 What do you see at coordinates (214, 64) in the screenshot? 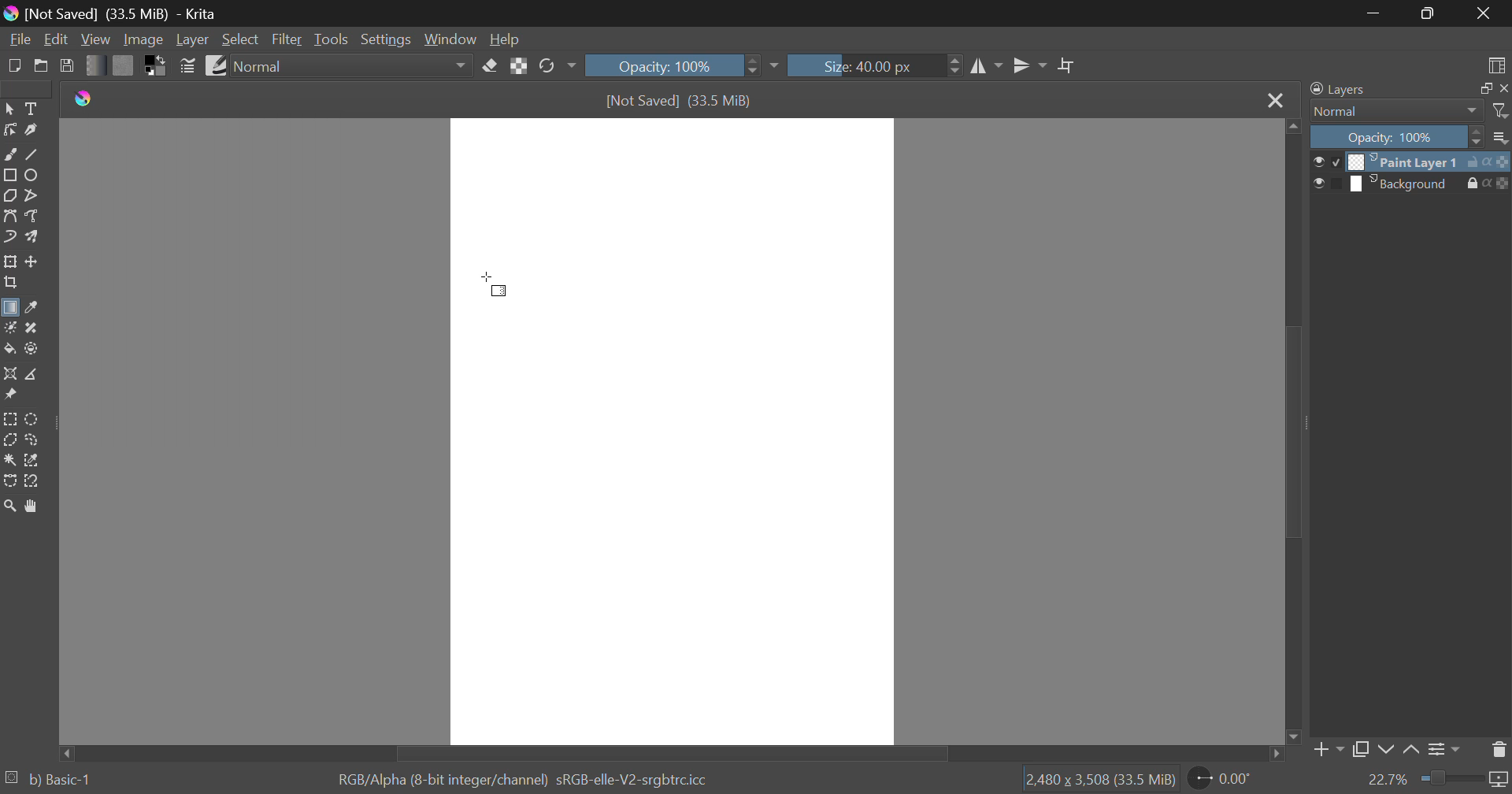
I see `Brush Presets` at bounding box center [214, 64].